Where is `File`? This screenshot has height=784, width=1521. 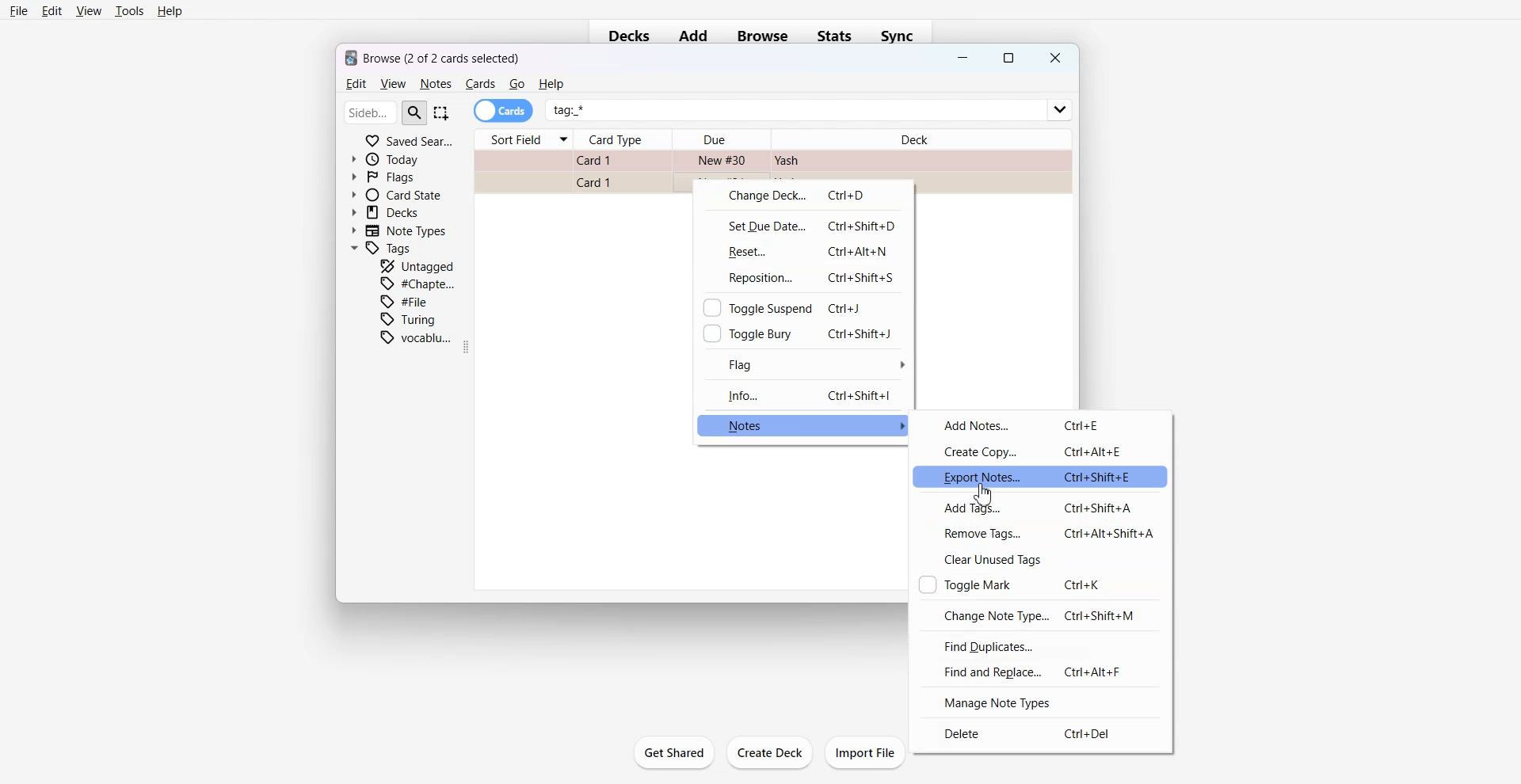 File is located at coordinates (408, 301).